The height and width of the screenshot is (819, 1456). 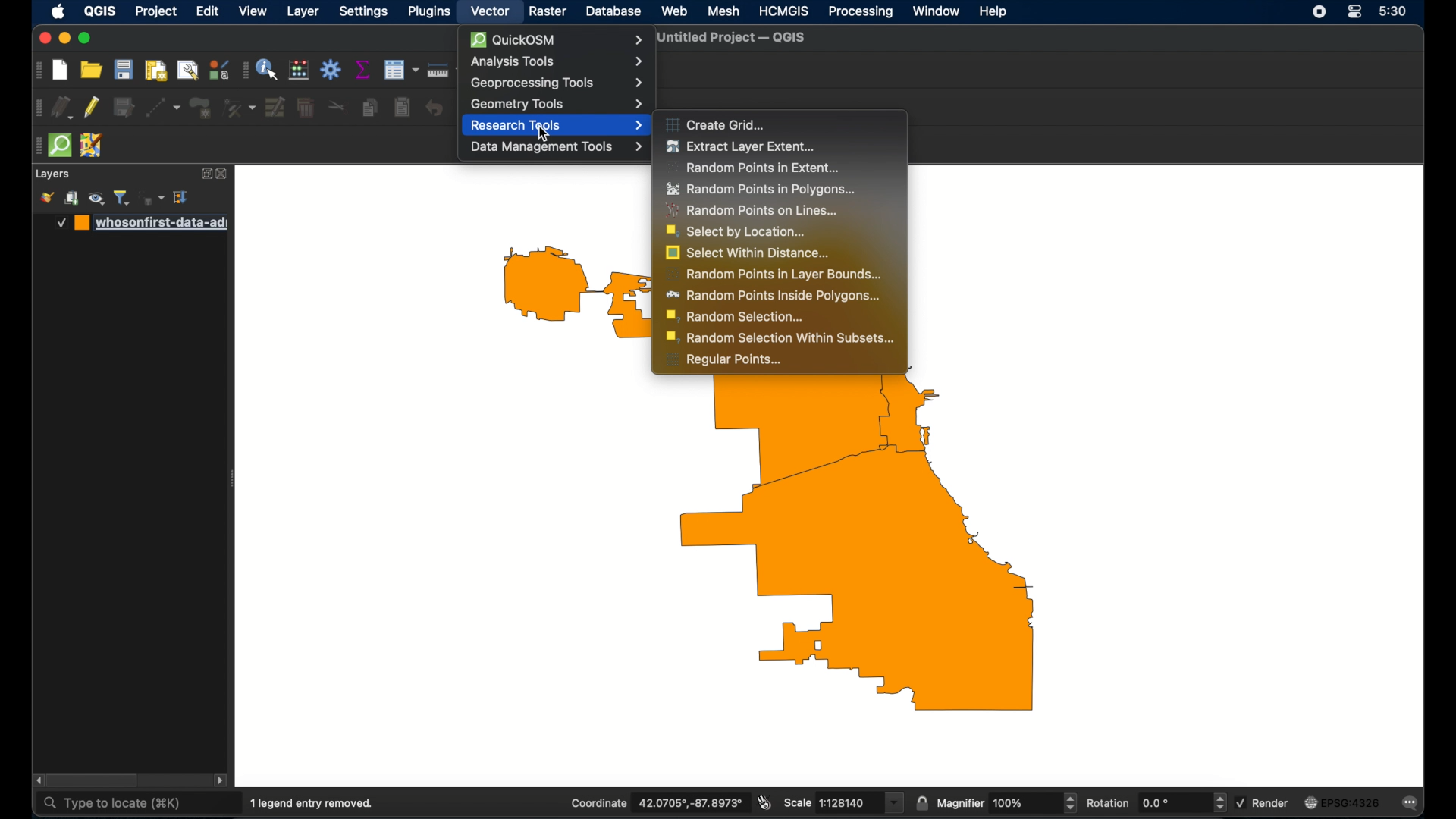 I want to click on random points in extent, so click(x=751, y=168).